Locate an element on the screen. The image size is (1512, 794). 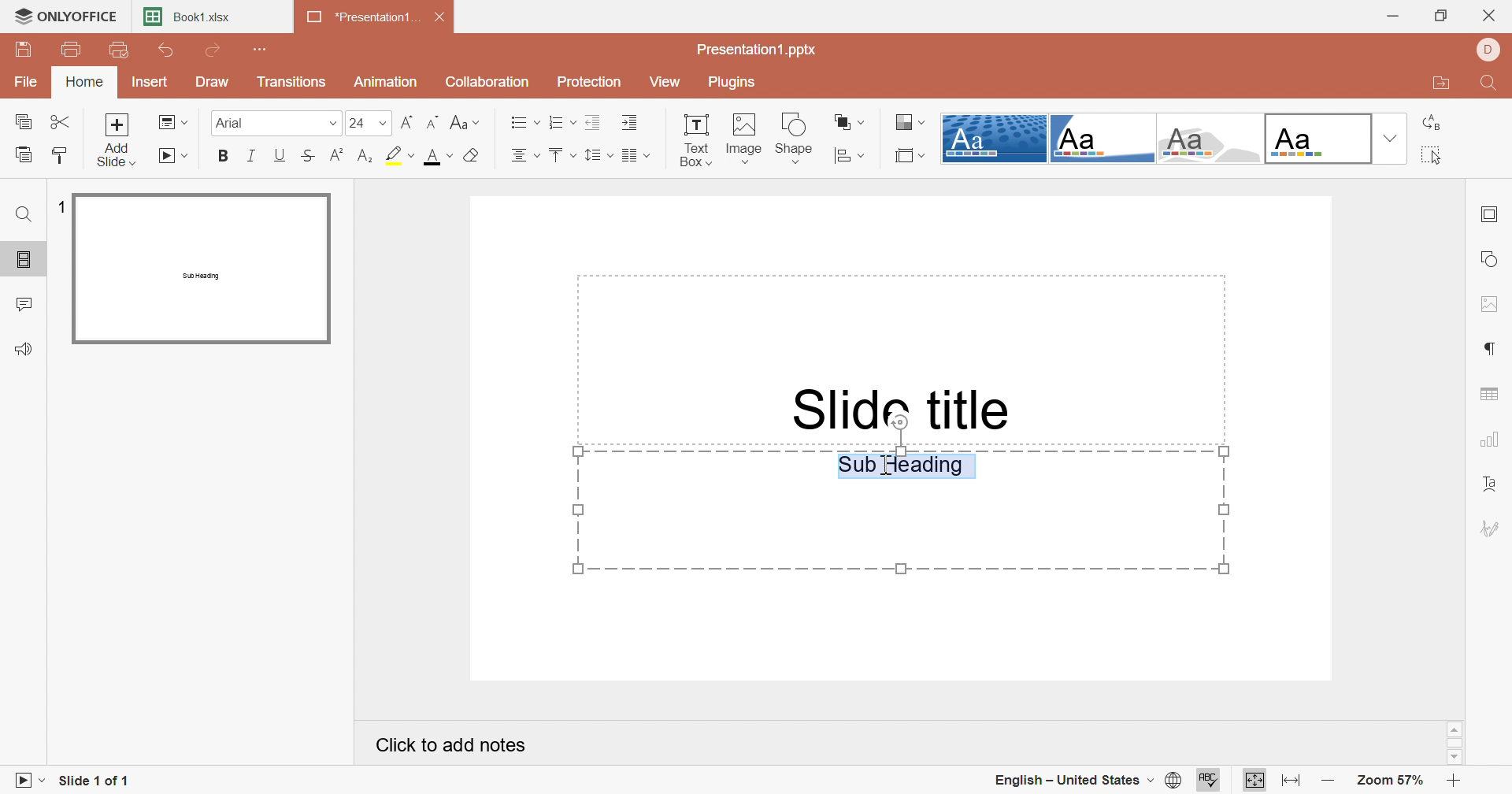
Slide 1 of 1 is located at coordinates (102, 780).